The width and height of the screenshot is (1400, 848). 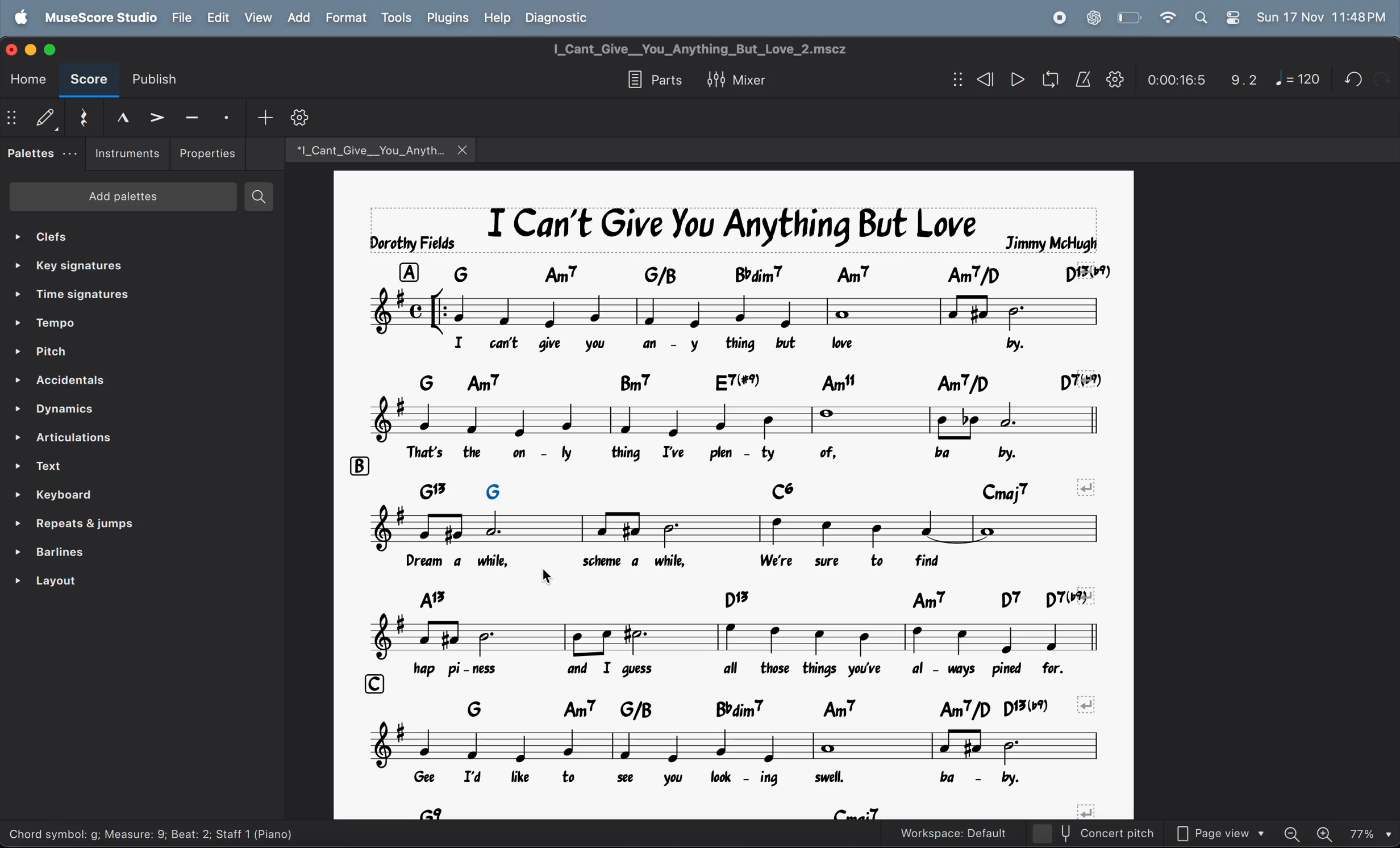 What do you see at coordinates (1336, 834) in the screenshot?
I see `zoom in zoom out` at bounding box center [1336, 834].